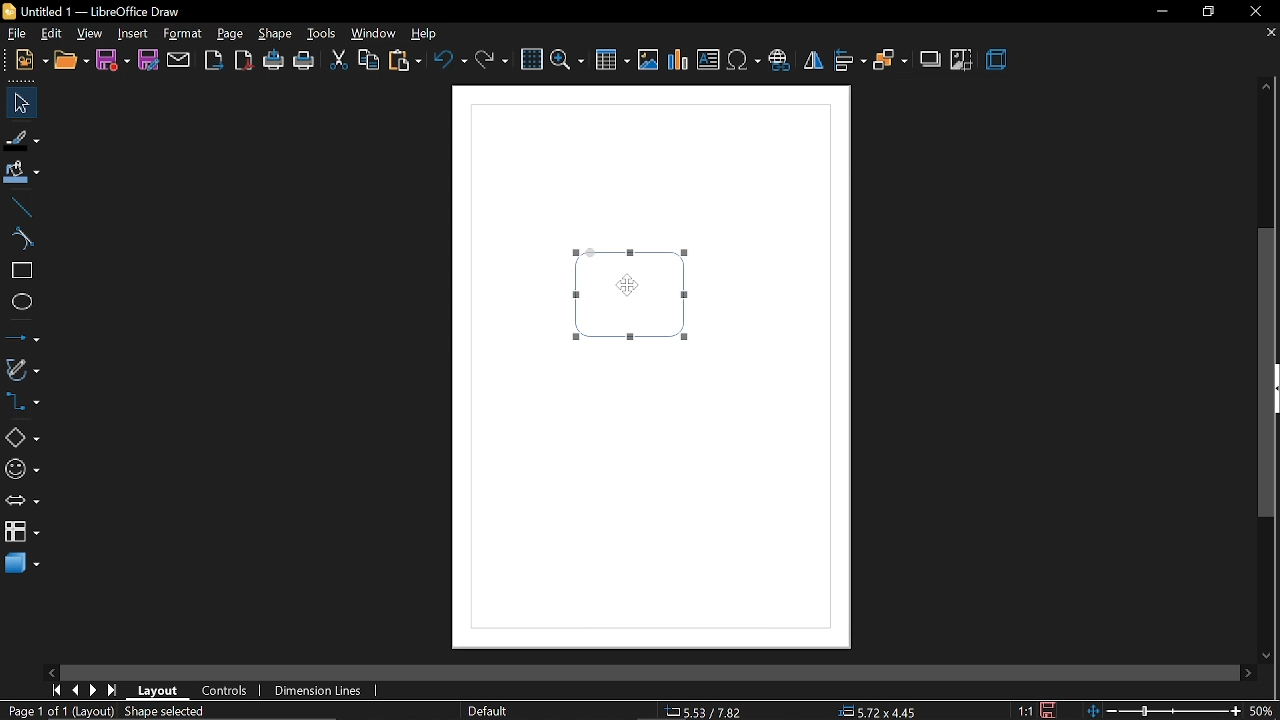 Image resolution: width=1280 pixels, height=720 pixels. What do you see at coordinates (1207, 12) in the screenshot?
I see `restore down` at bounding box center [1207, 12].